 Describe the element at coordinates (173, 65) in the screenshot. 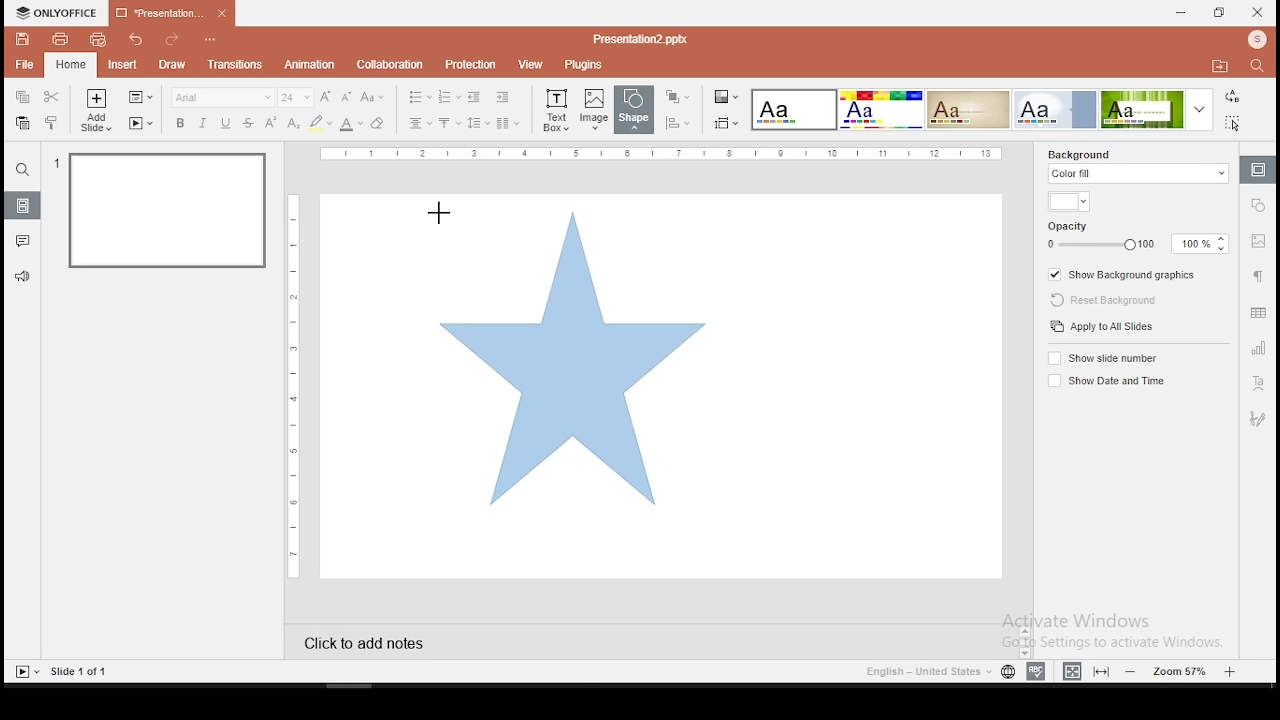

I see `draw` at that location.